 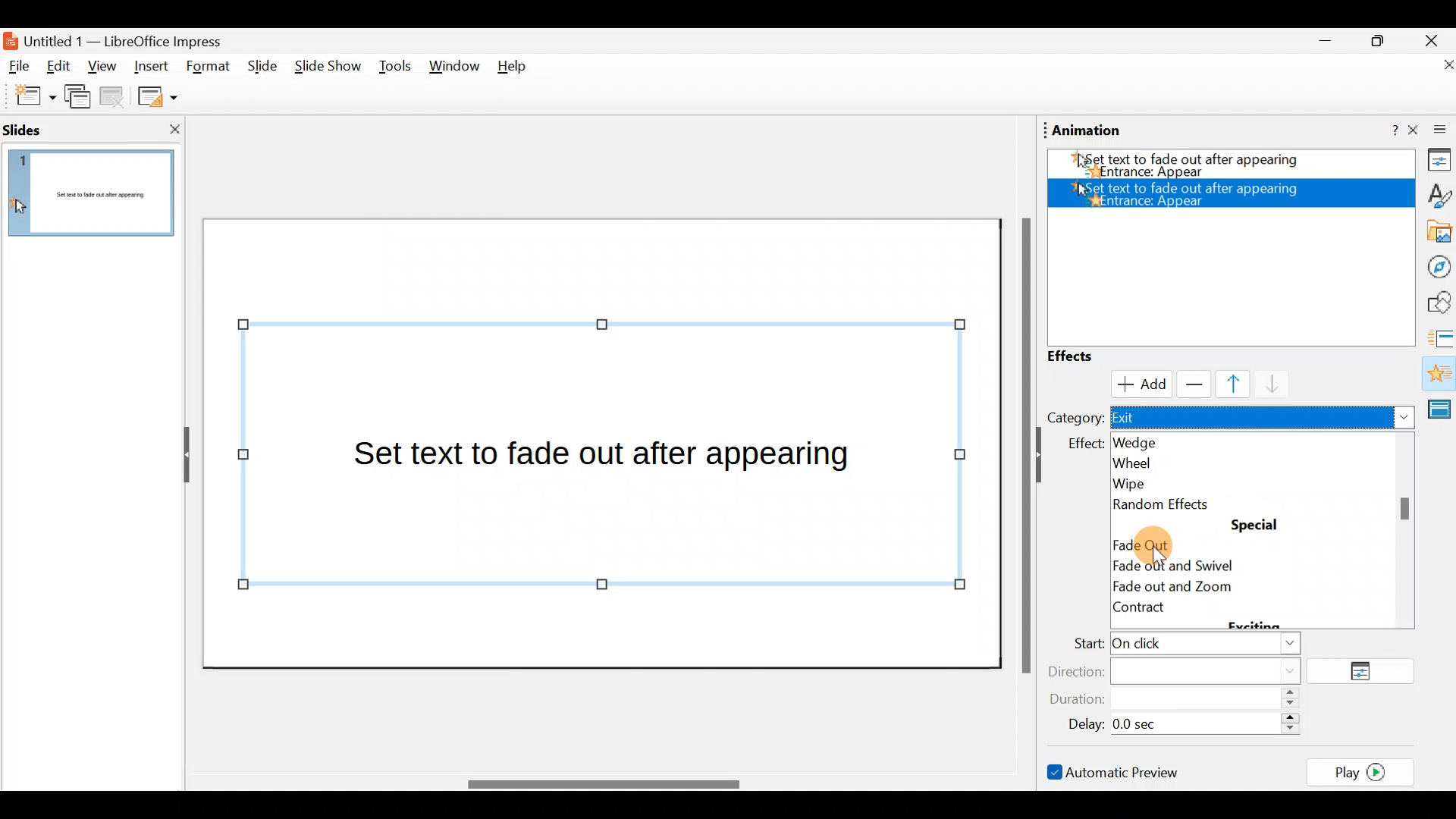 I want to click on Exit, so click(x=1263, y=419).